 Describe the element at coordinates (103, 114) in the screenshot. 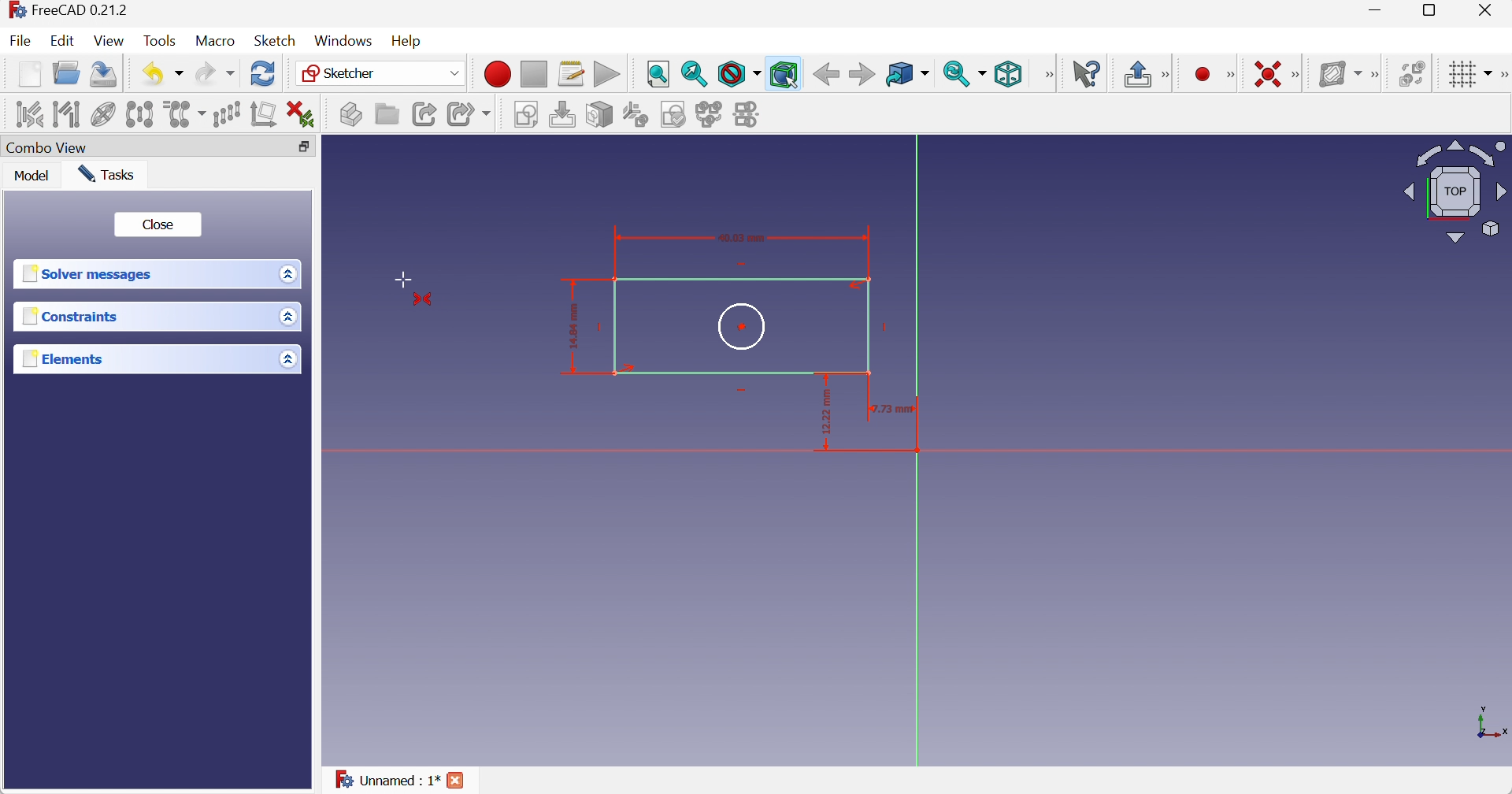

I see `Show/hide internal geometry` at that location.